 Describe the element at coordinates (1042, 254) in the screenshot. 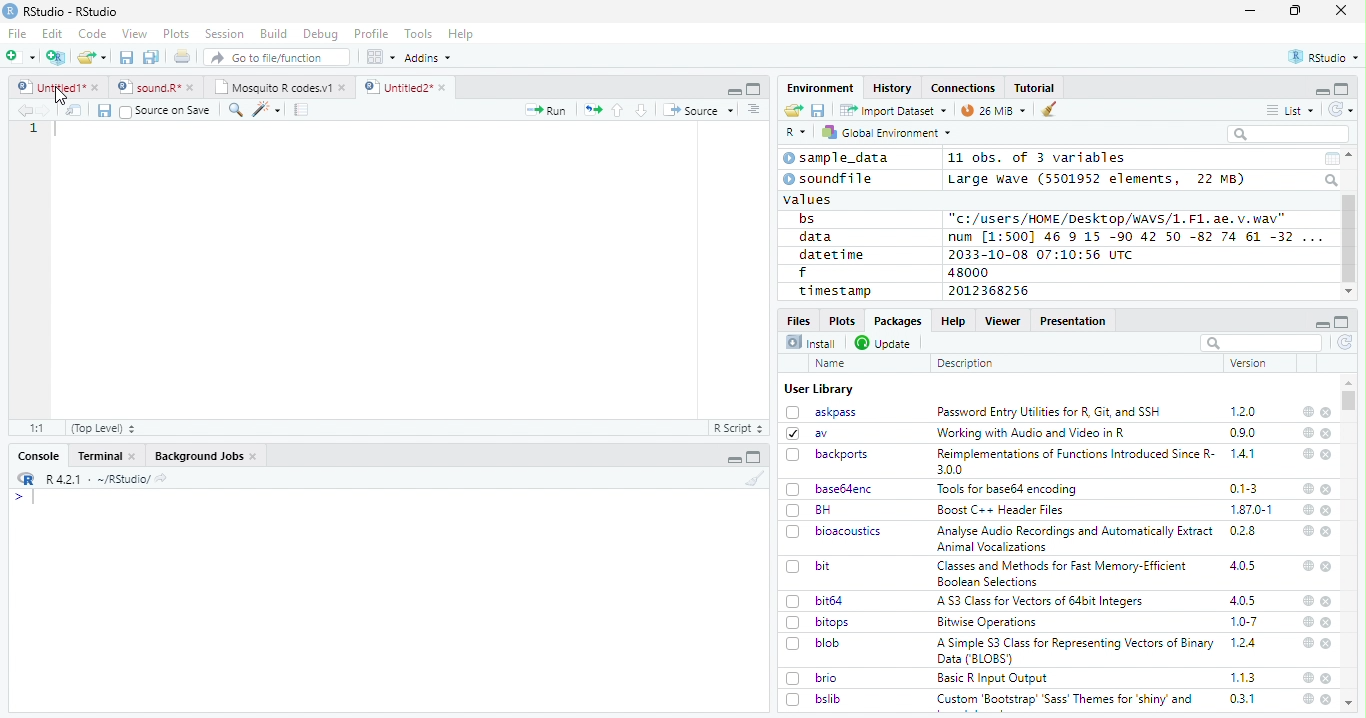

I see `2033-10-08 07:10:56 UTC` at that location.